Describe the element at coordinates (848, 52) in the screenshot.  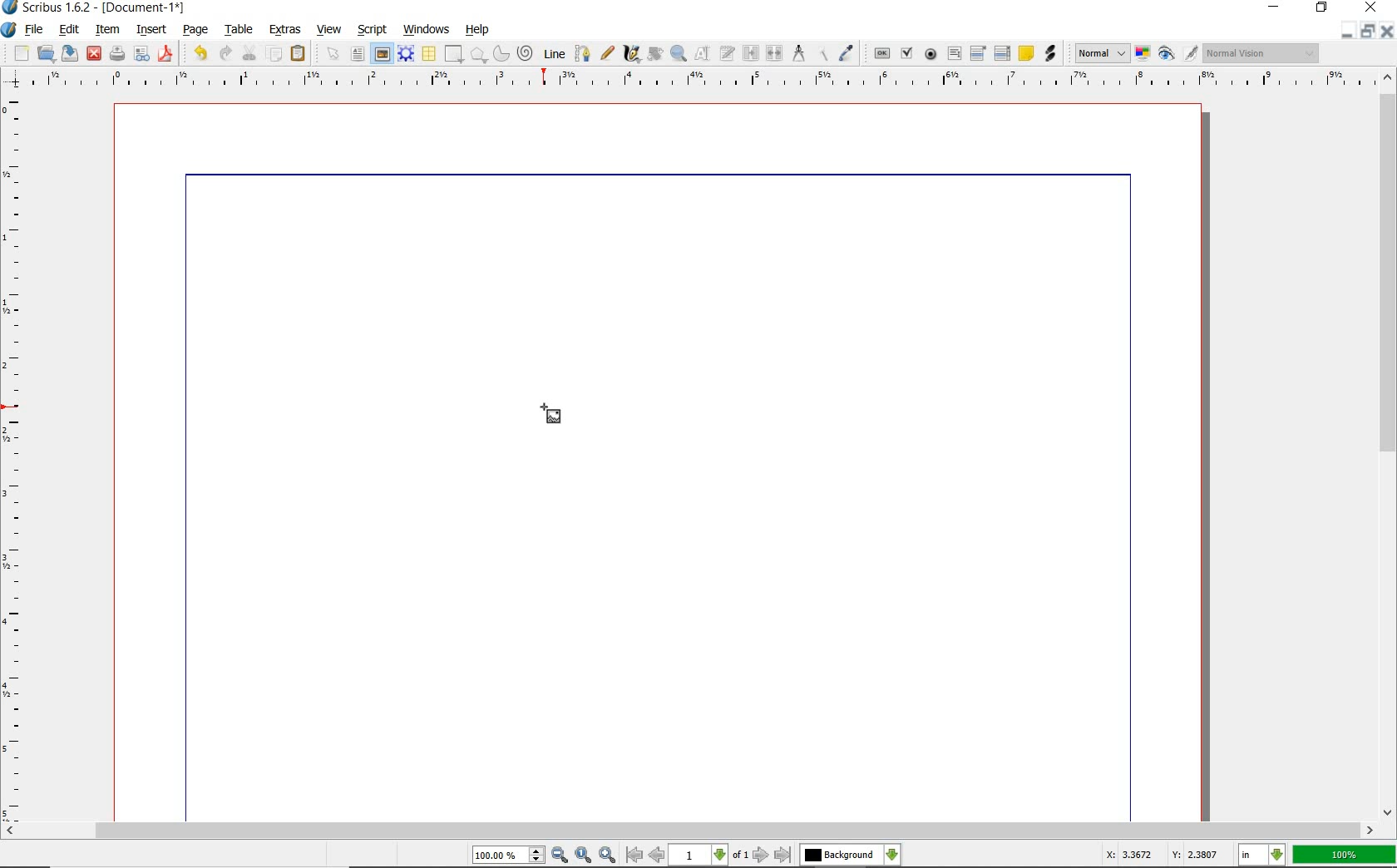
I see `eye dropper` at that location.